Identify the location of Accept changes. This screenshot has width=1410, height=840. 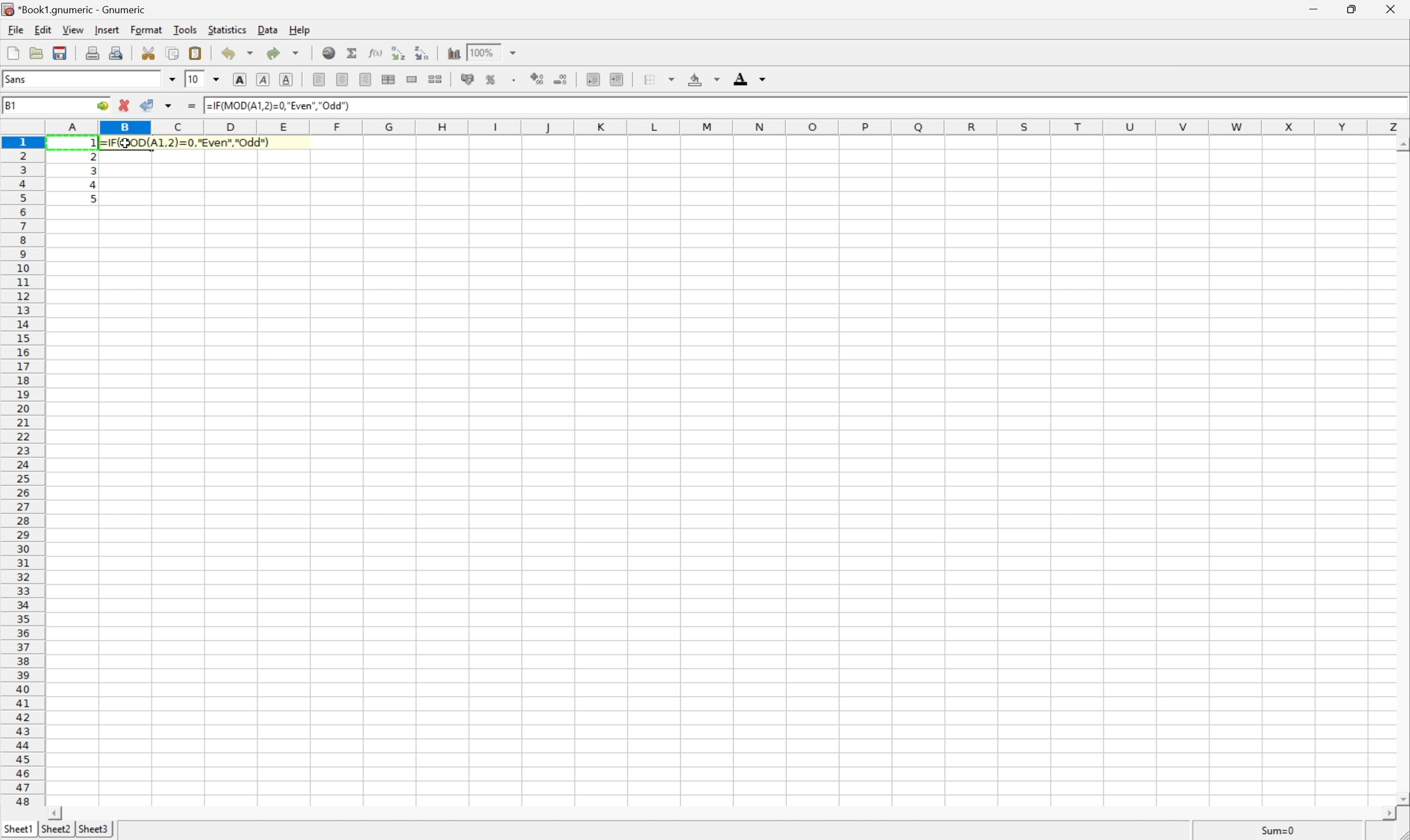
(147, 106).